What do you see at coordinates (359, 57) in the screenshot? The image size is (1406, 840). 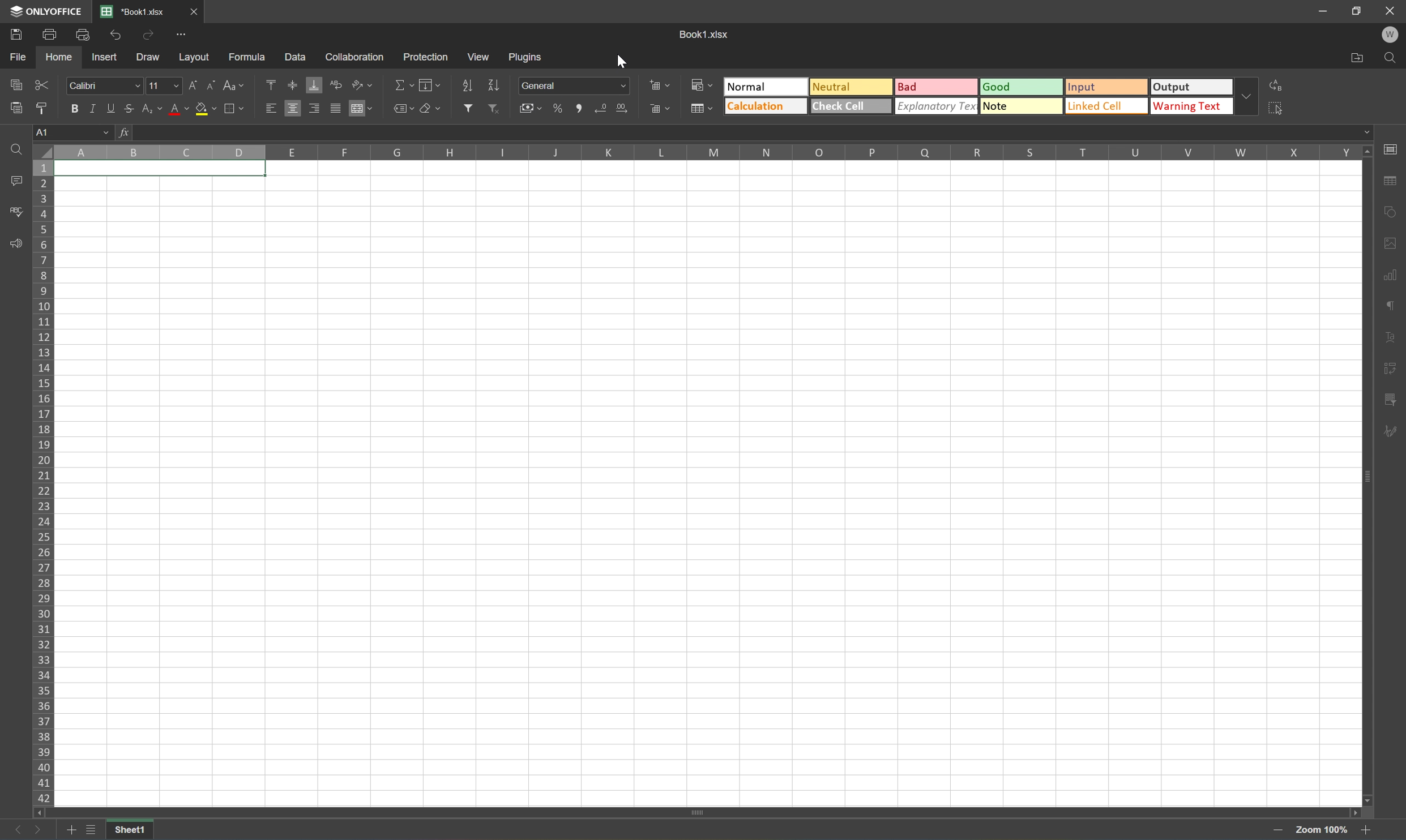 I see `Collaboration` at bounding box center [359, 57].